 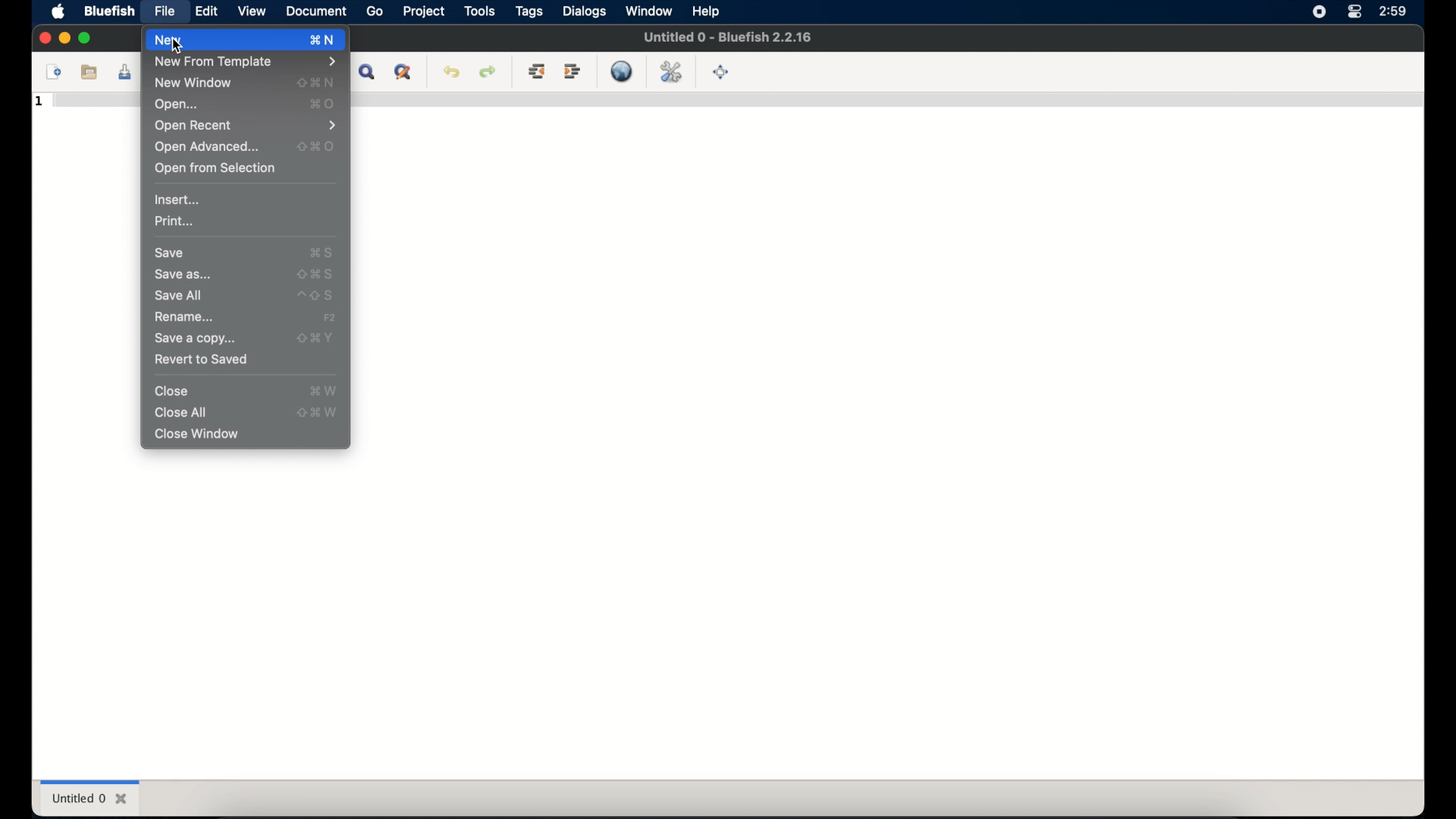 I want to click on control center, so click(x=1354, y=12).